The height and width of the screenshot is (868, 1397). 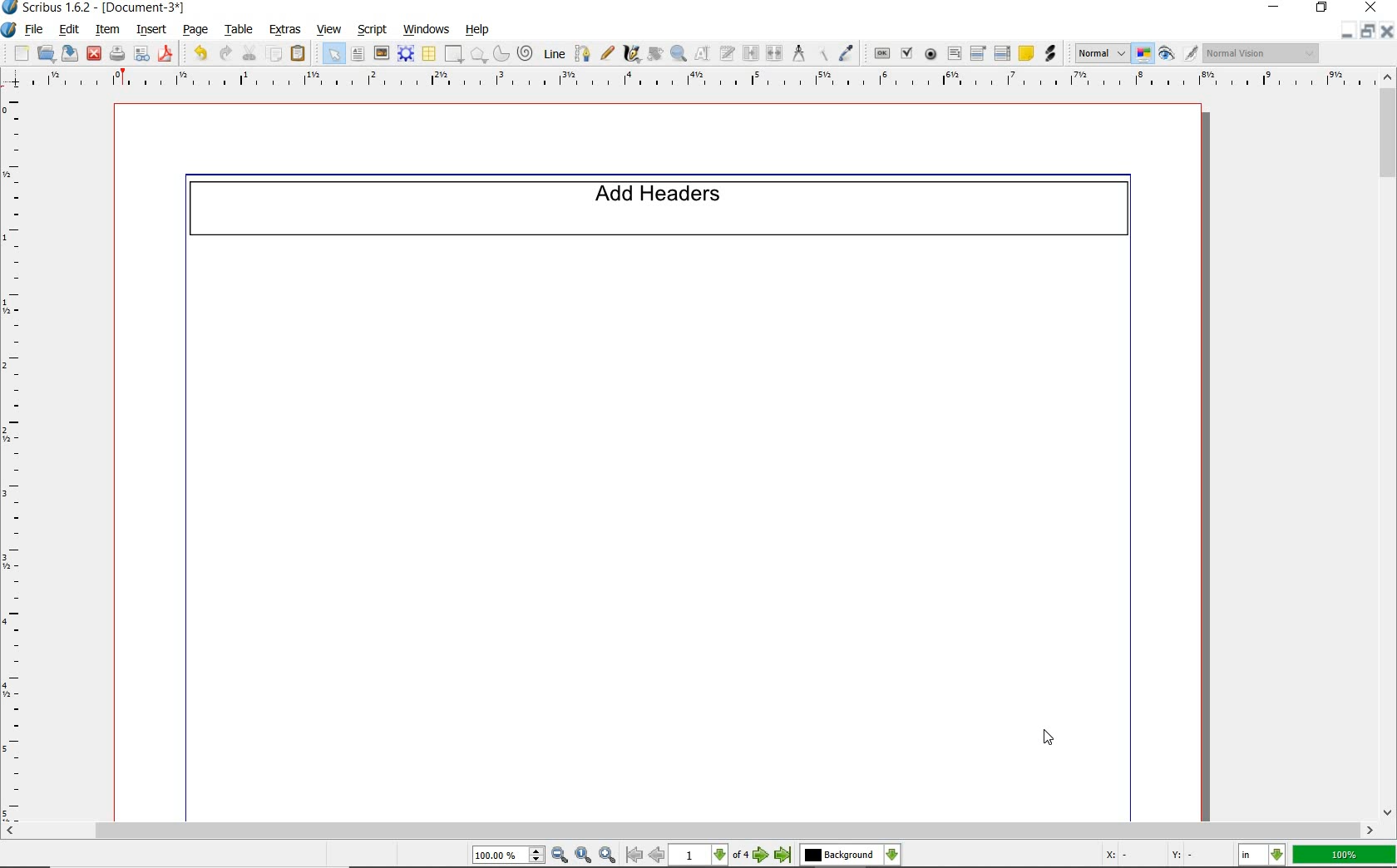 I want to click on view, so click(x=329, y=31).